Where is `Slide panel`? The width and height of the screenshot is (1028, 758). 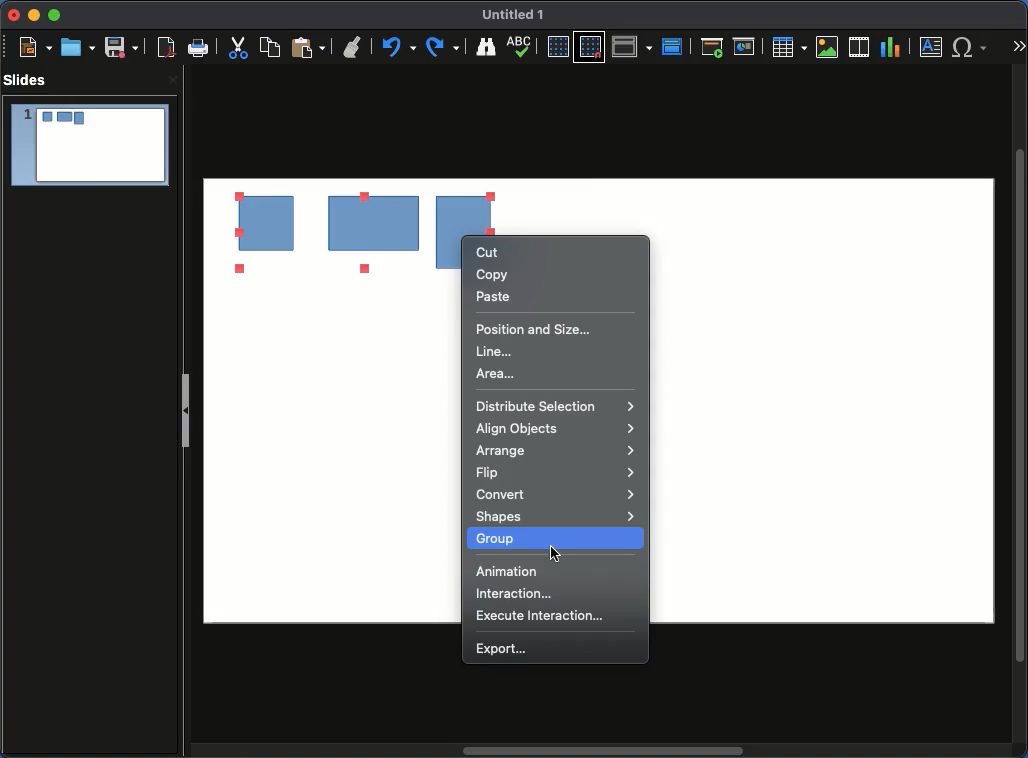
Slide panel is located at coordinates (187, 405).